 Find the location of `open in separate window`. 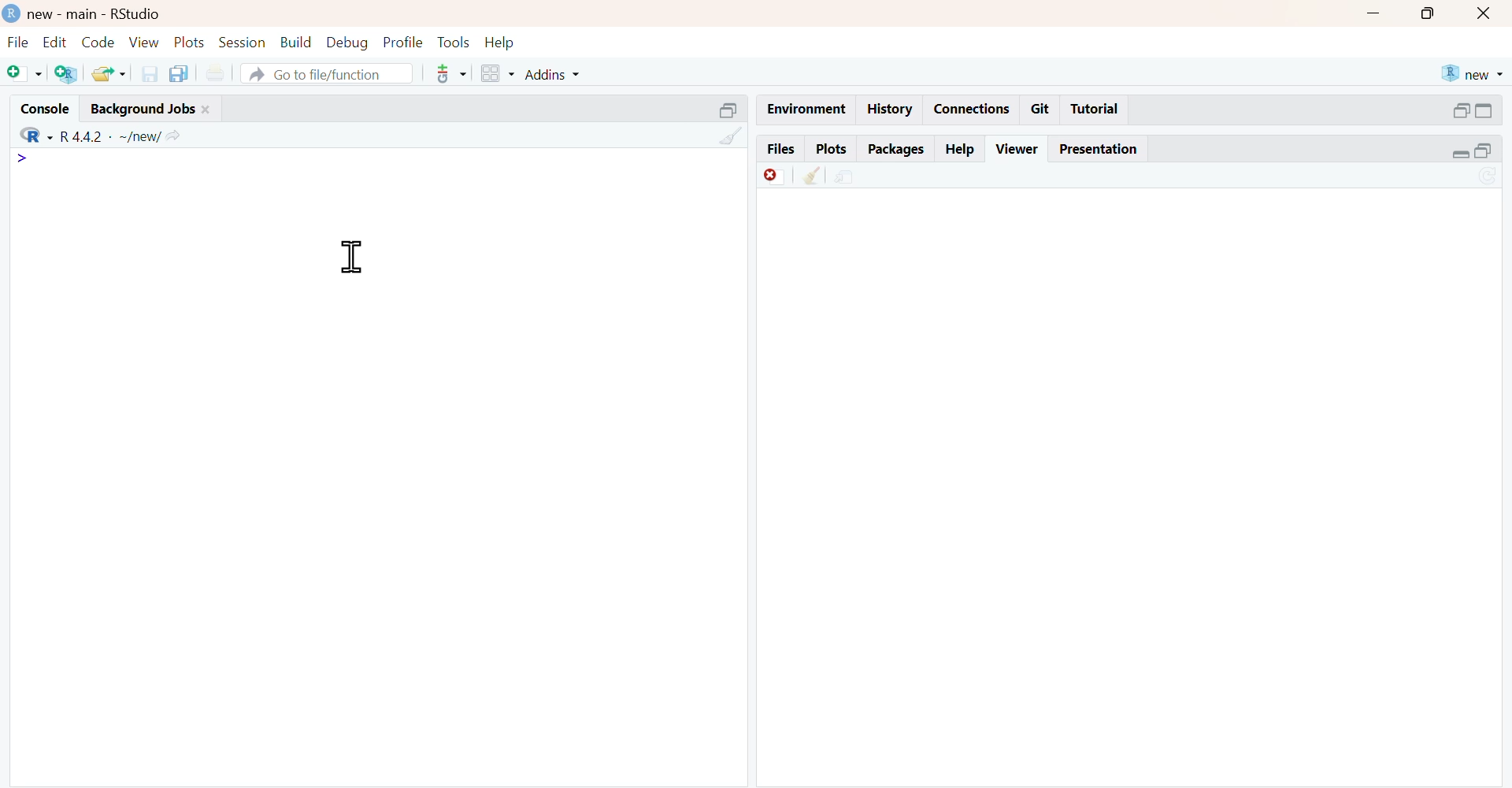

open in separate window is located at coordinates (1462, 110).